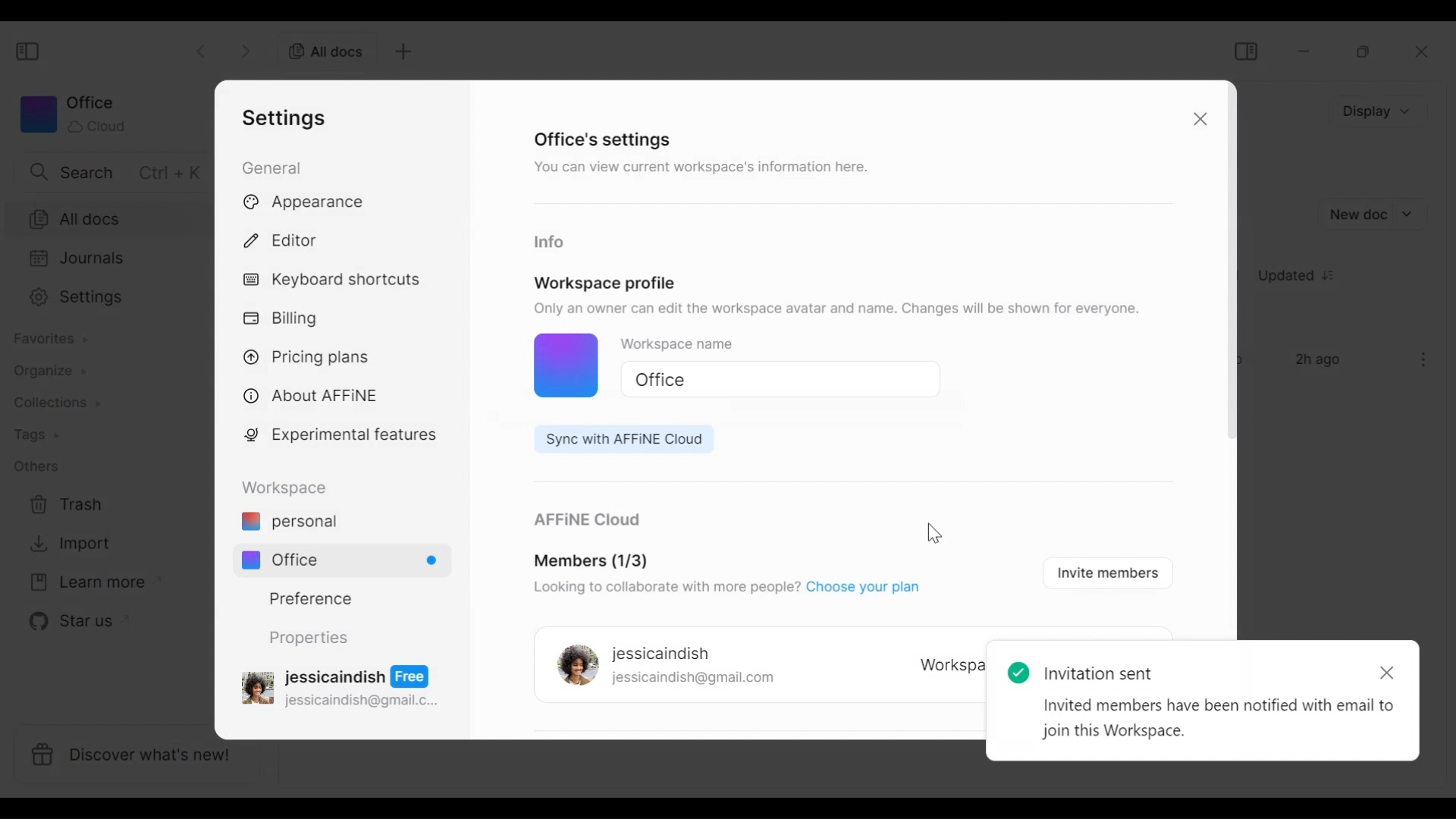 This screenshot has width=1456, height=819. What do you see at coordinates (287, 238) in the screenshot?
I see `Editor` at bounding box center [287, 238].